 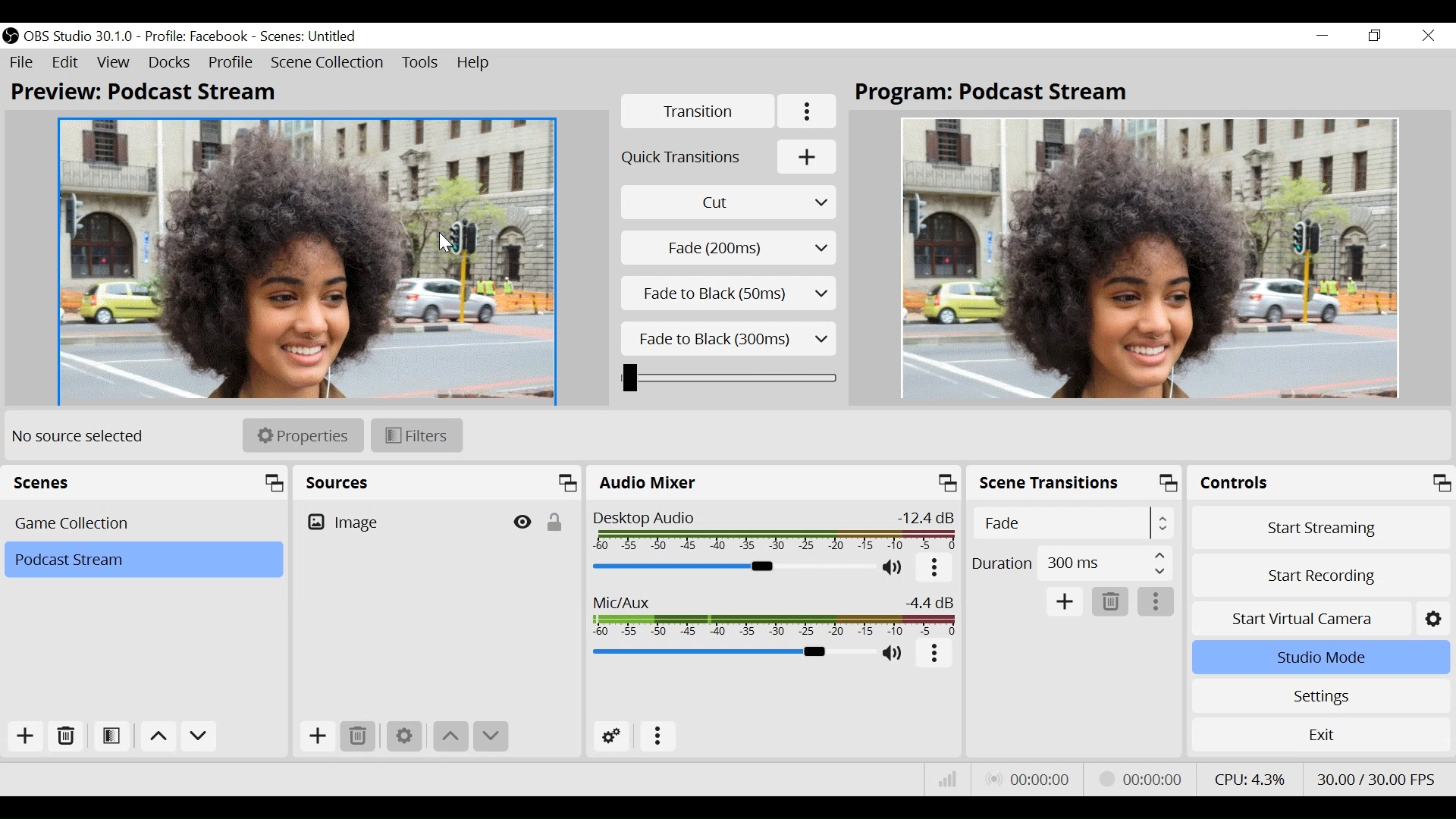 What do you see at coordinates (611, 736) in the screenshot?
I see `Advanced Audio Settings` at bounding box center [611, 736].